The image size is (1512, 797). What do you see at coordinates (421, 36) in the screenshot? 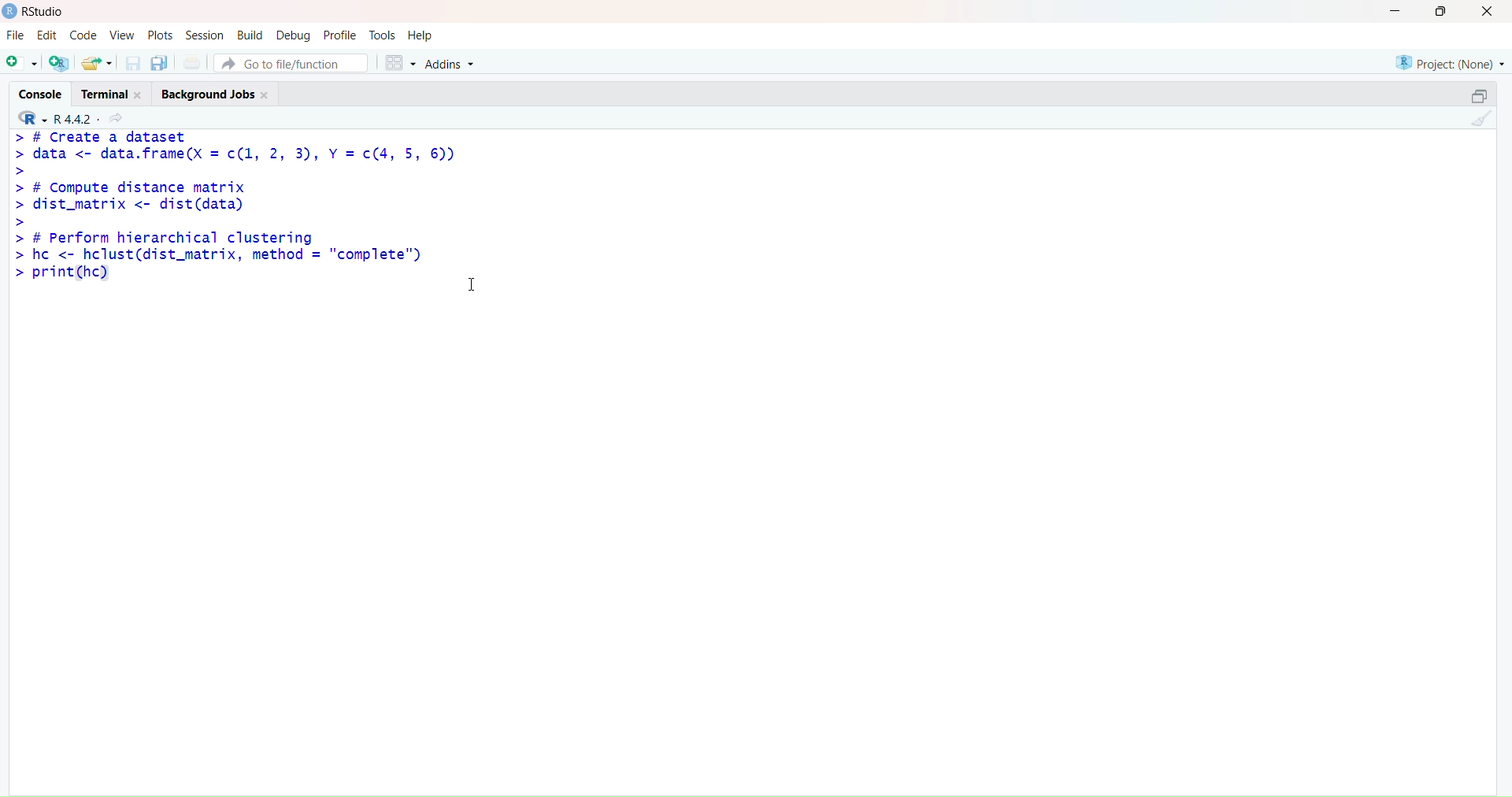
I see `Help` at bounding box center [421, 36].